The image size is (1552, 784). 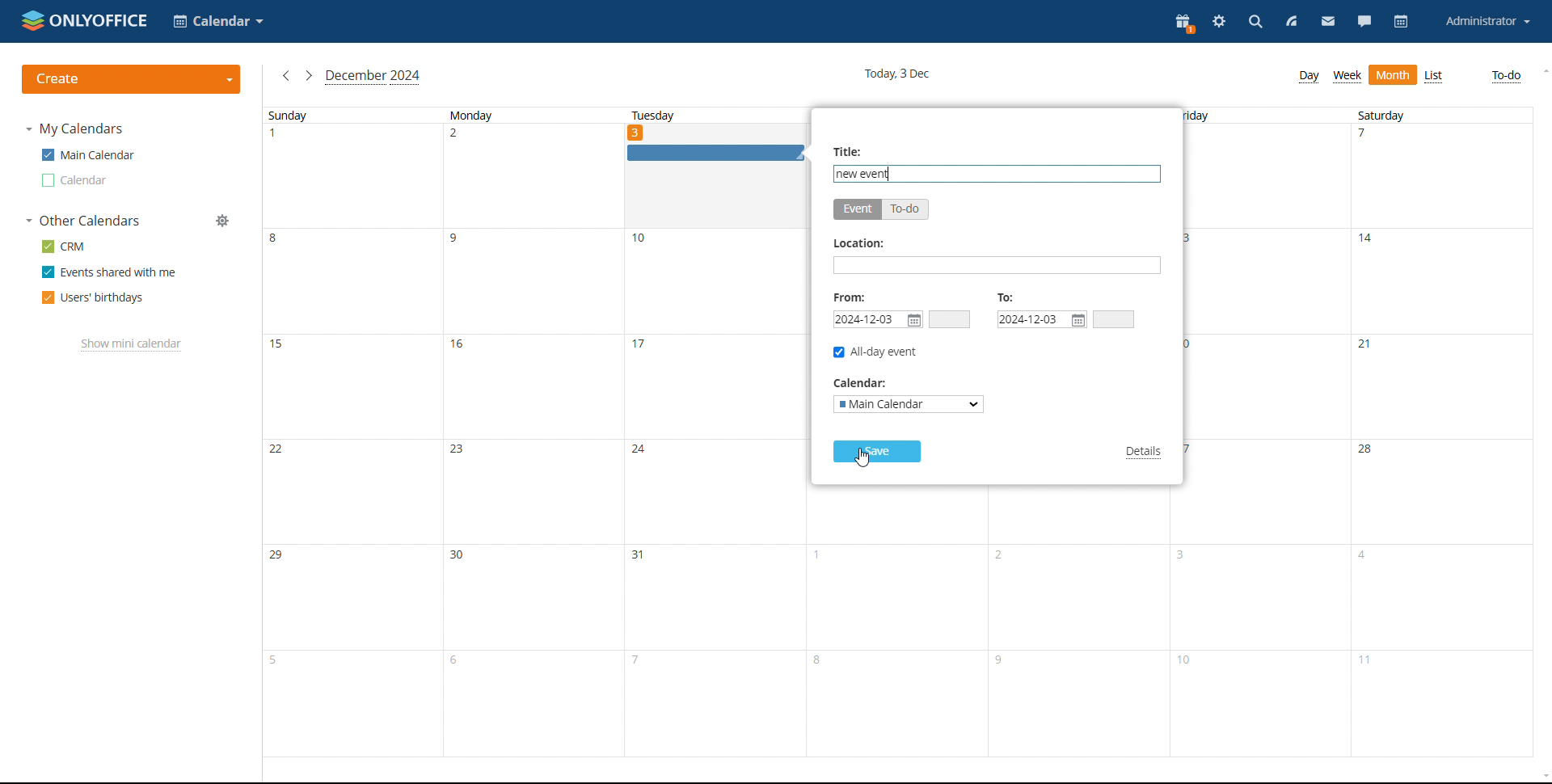 What do you see at coordinates (711, 484) in the screenshot?
I see `tuesday` at bounding box center [711, 484].